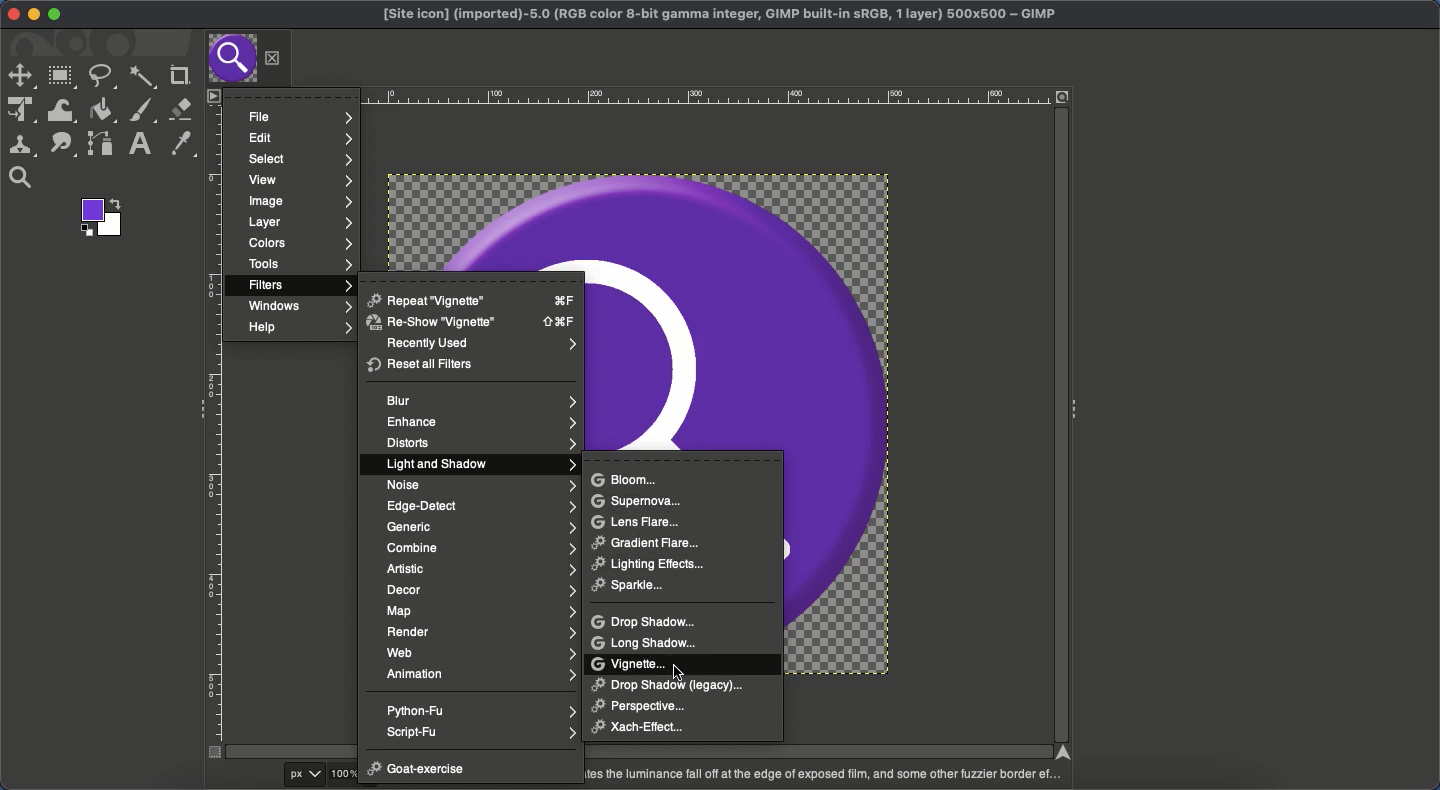 The height and width of the screenshot is (790, 1440). I want to click on Lightning effects, so click(656, 565).